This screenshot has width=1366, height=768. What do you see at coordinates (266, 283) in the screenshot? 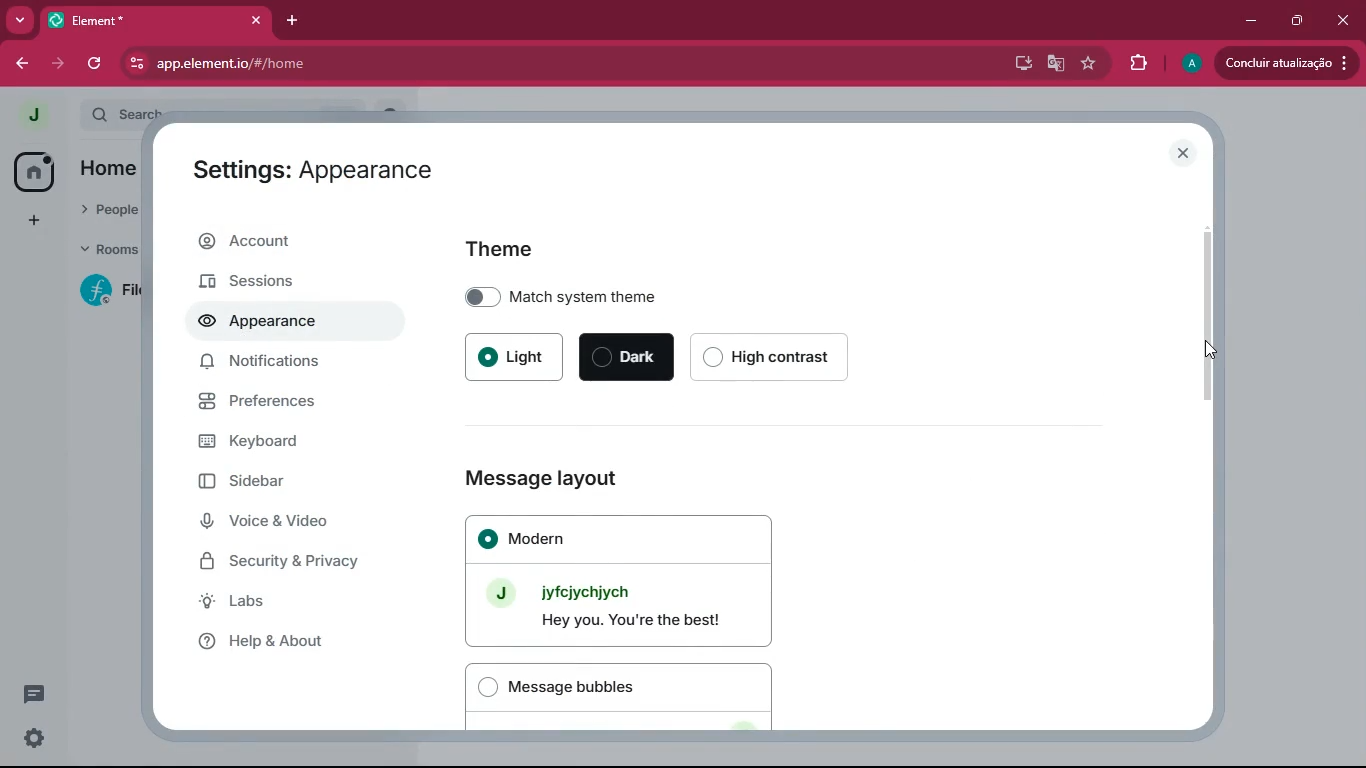
I see `sessions` at bounding box center [266, 283].